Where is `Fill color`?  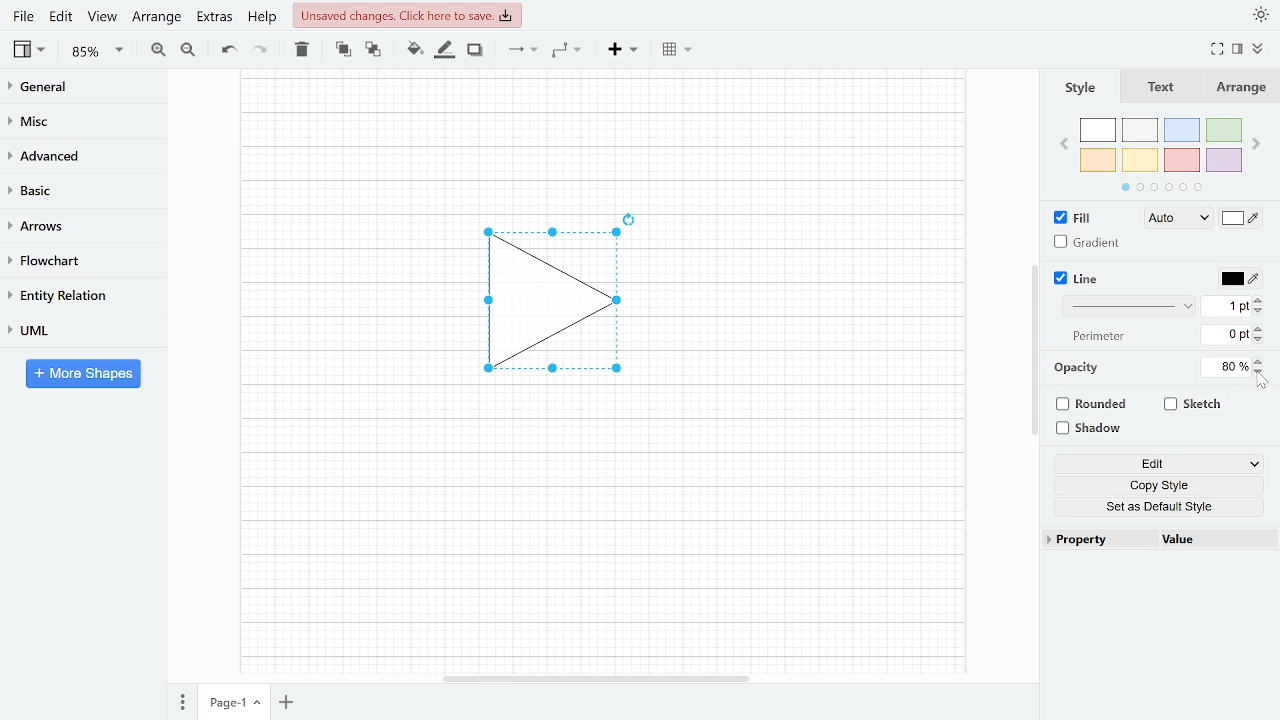
Fill color is located at coordinates (414, 49).